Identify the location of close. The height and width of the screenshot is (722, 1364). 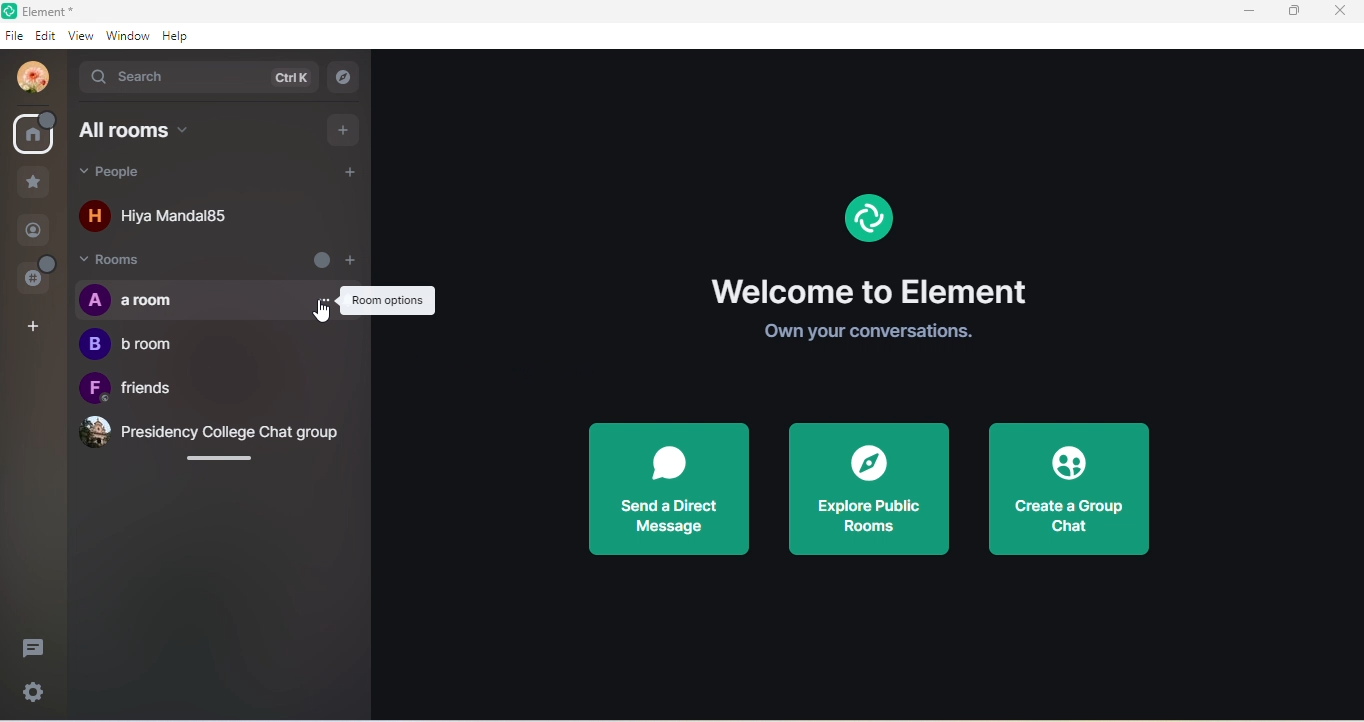
(1340, 11).